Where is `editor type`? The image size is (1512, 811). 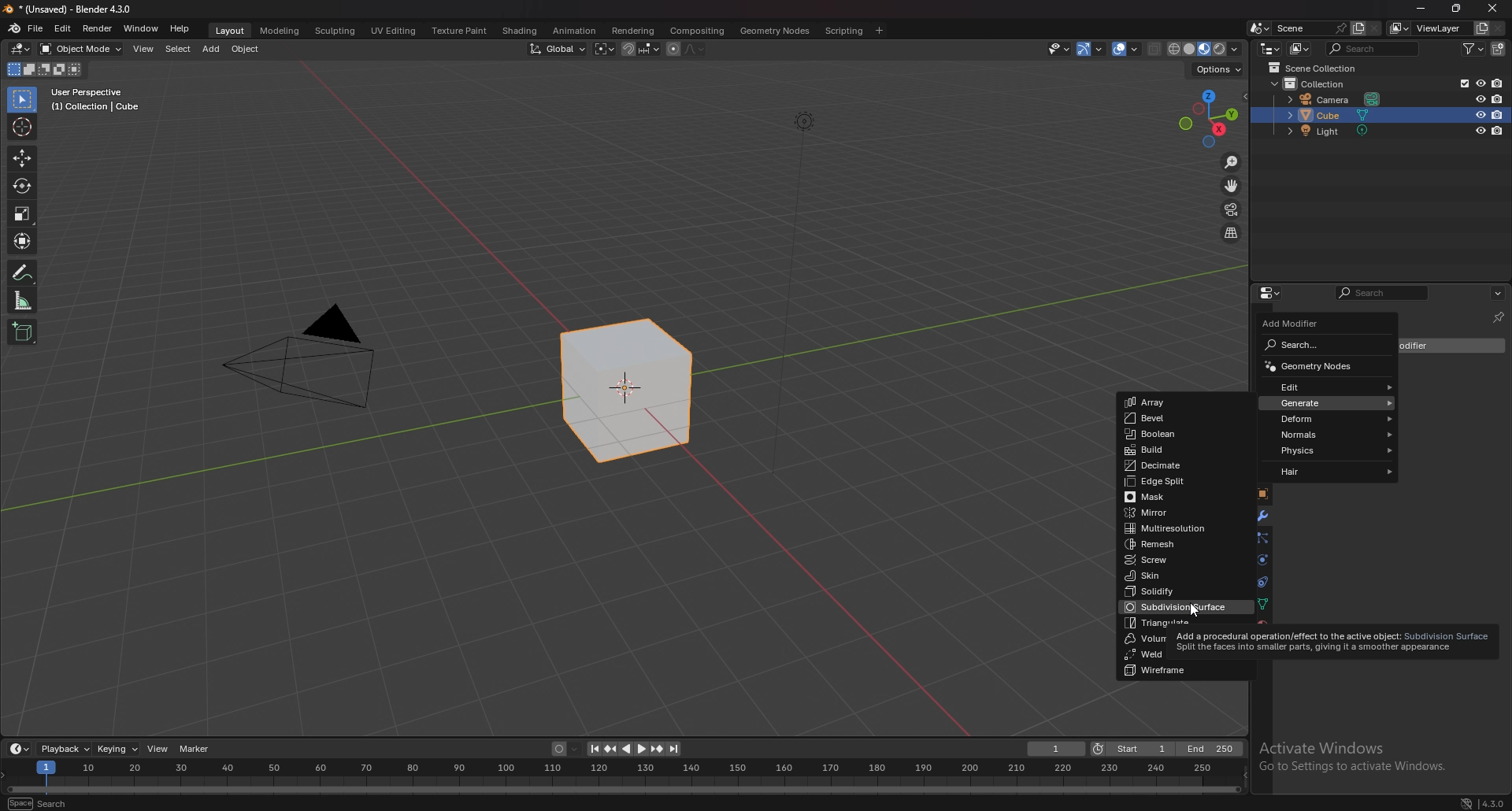
editor type is located at coordinates (1272, 294).